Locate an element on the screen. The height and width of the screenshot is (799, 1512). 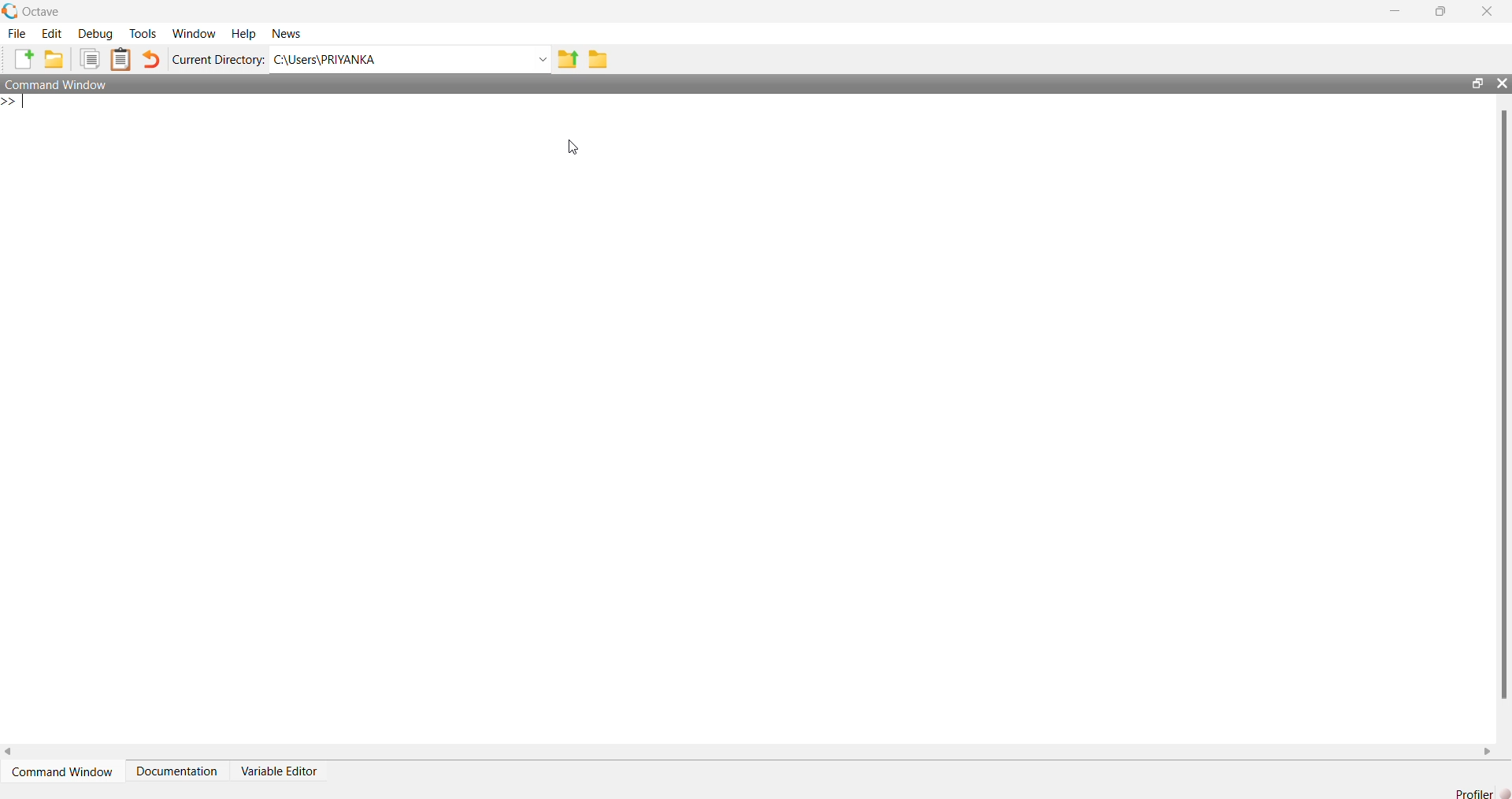
One directory up is located at coordinates (567, 59).